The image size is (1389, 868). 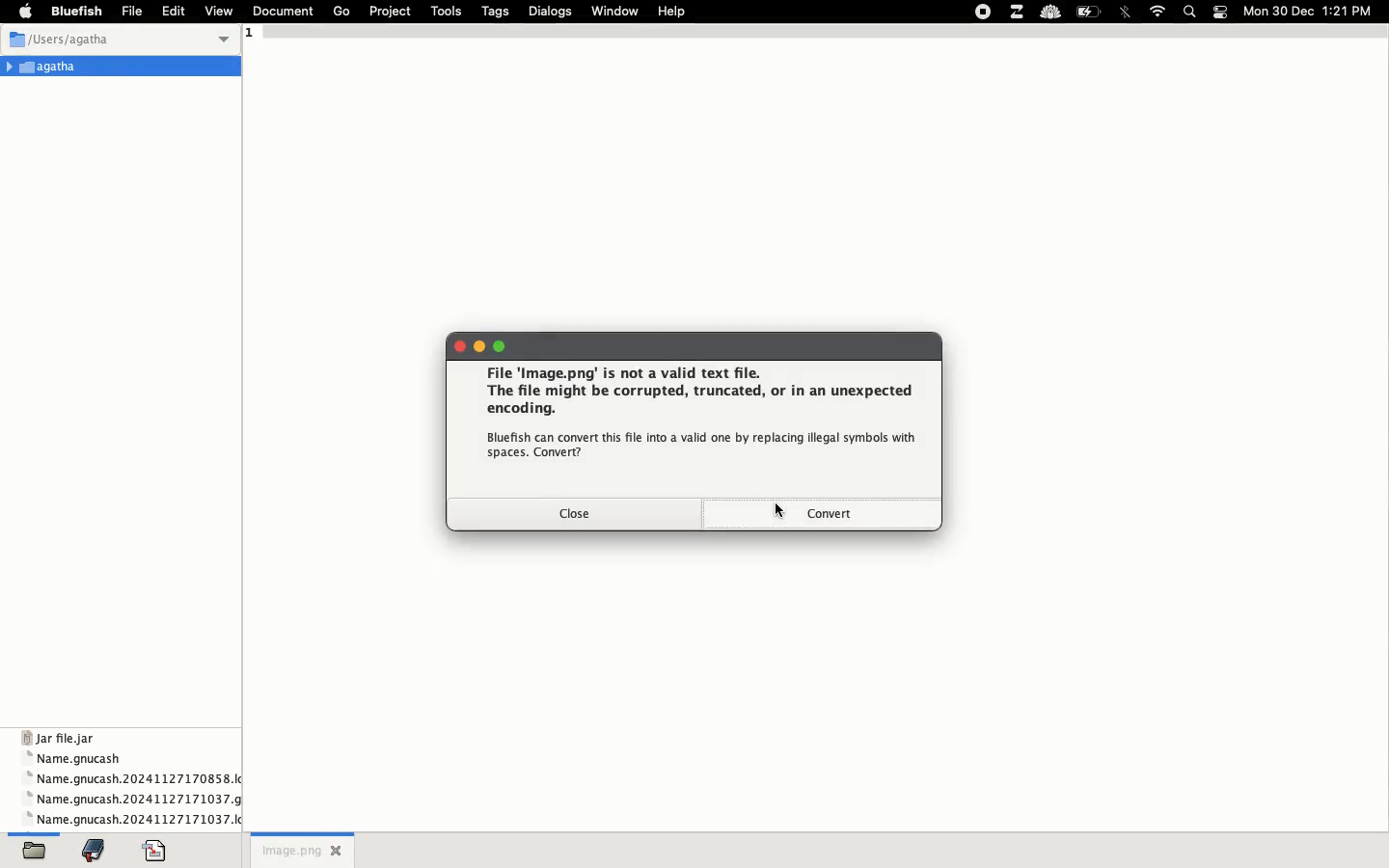 I want to click on cursor, so click(x=782, y=509).